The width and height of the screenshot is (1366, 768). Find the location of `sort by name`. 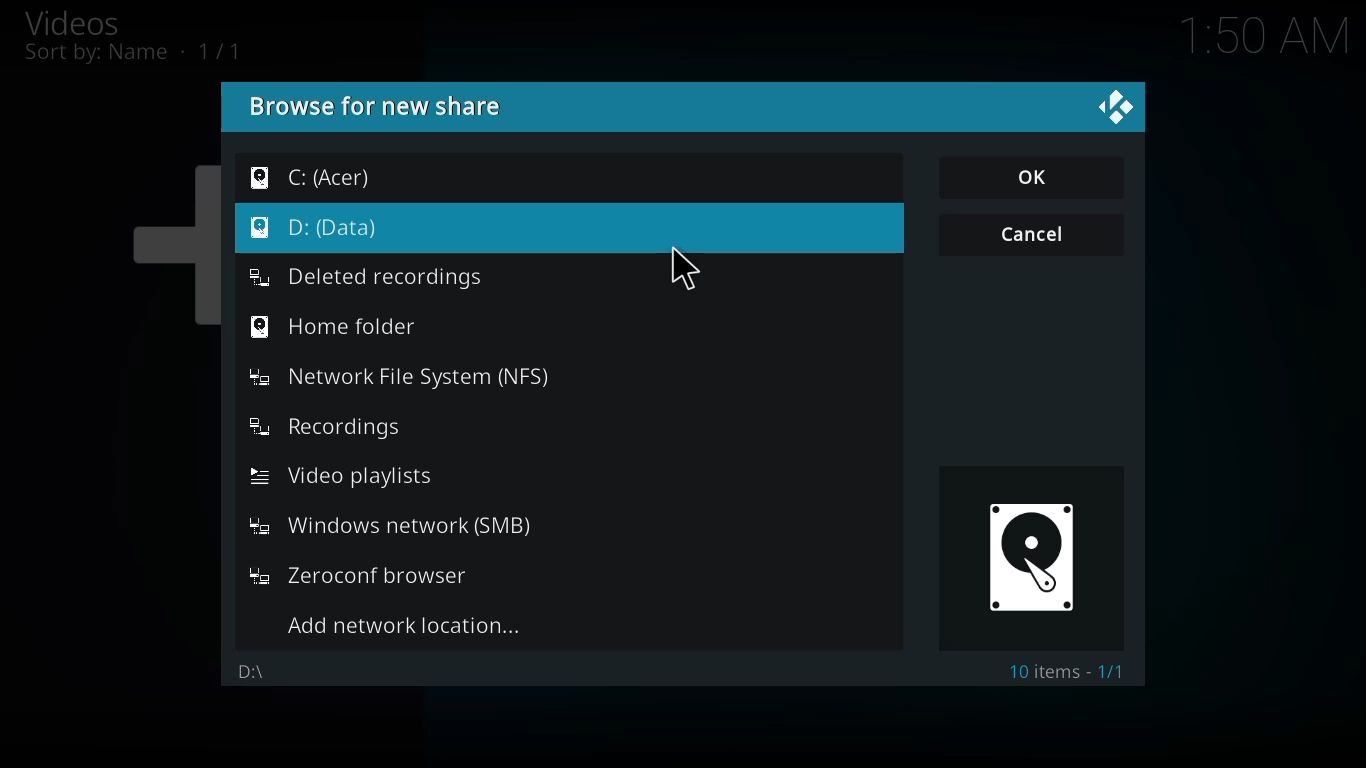

sort by name is located at coordinates (133, 56).